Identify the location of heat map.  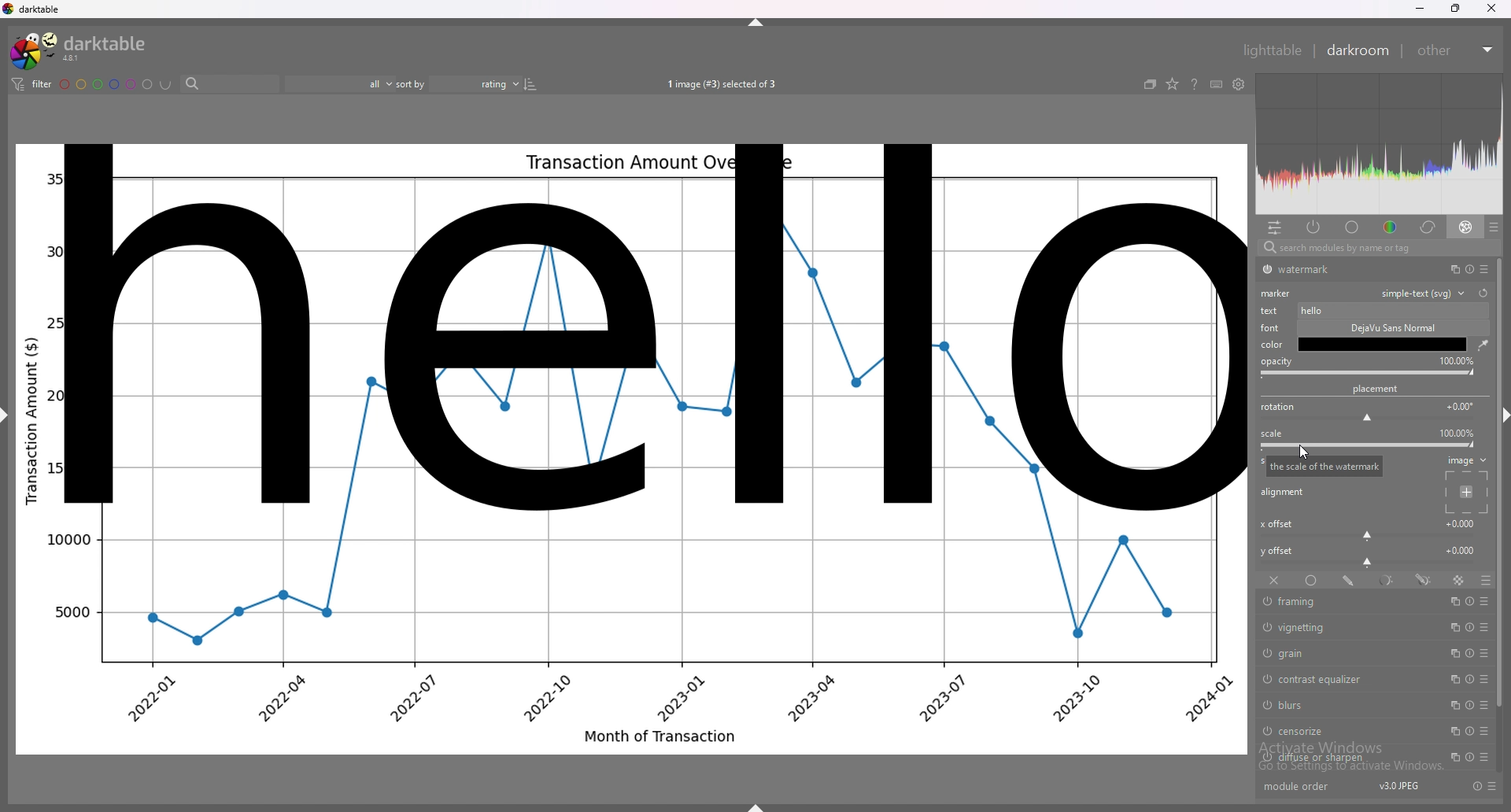
(1379, 144).